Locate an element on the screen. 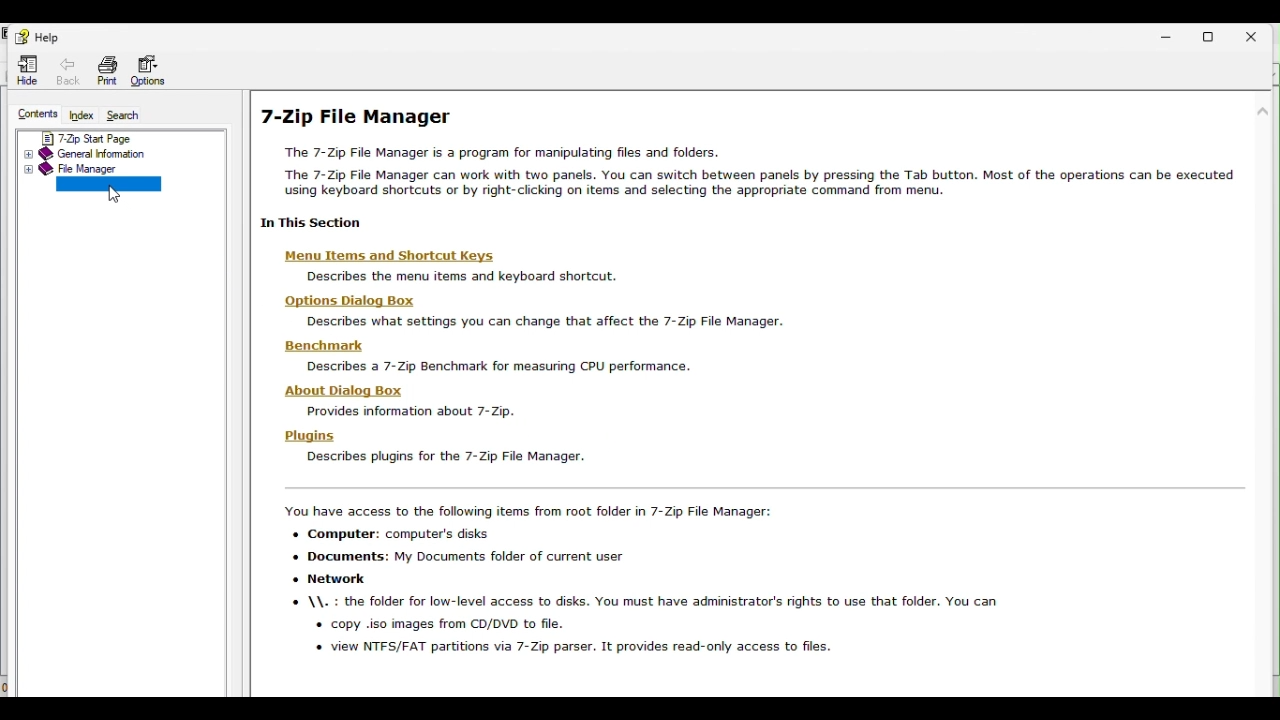  describe a 7zip benchmark for measuring CPU performance is located at coordinates (493, 366).